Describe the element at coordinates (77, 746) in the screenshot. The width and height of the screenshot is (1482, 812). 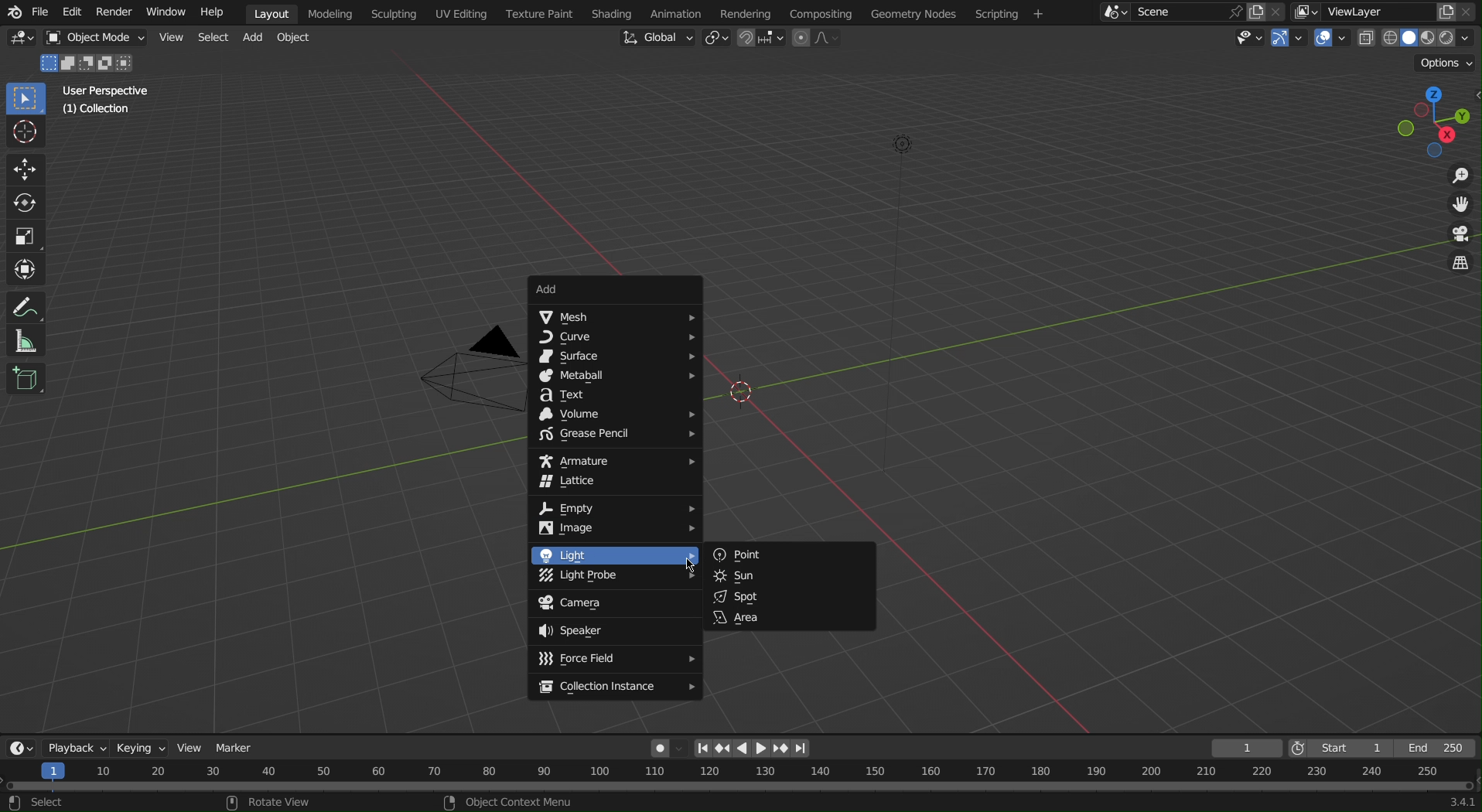
I see `Playback` at that location.